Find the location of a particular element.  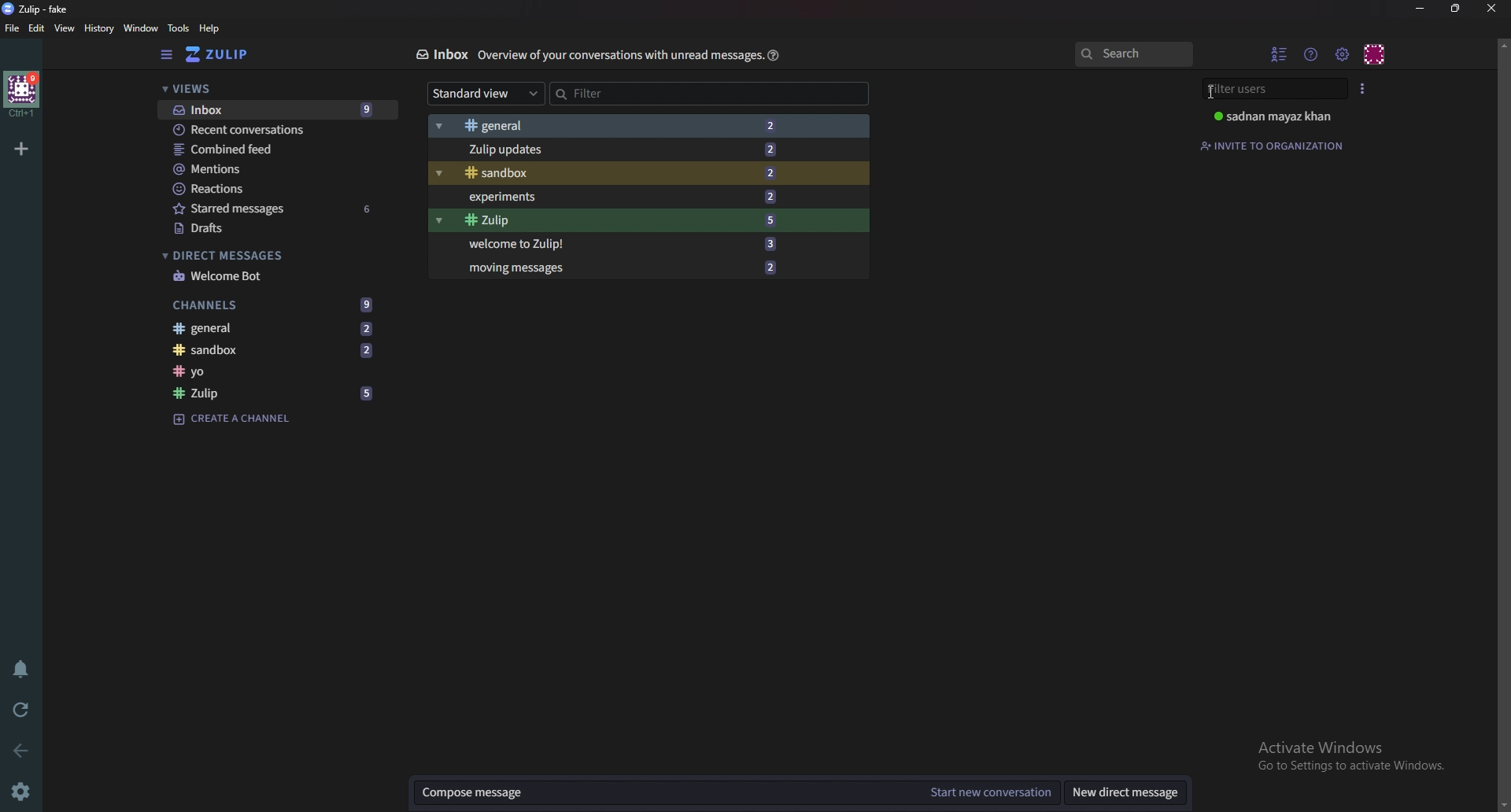

View is located at coordinates (63, 29).